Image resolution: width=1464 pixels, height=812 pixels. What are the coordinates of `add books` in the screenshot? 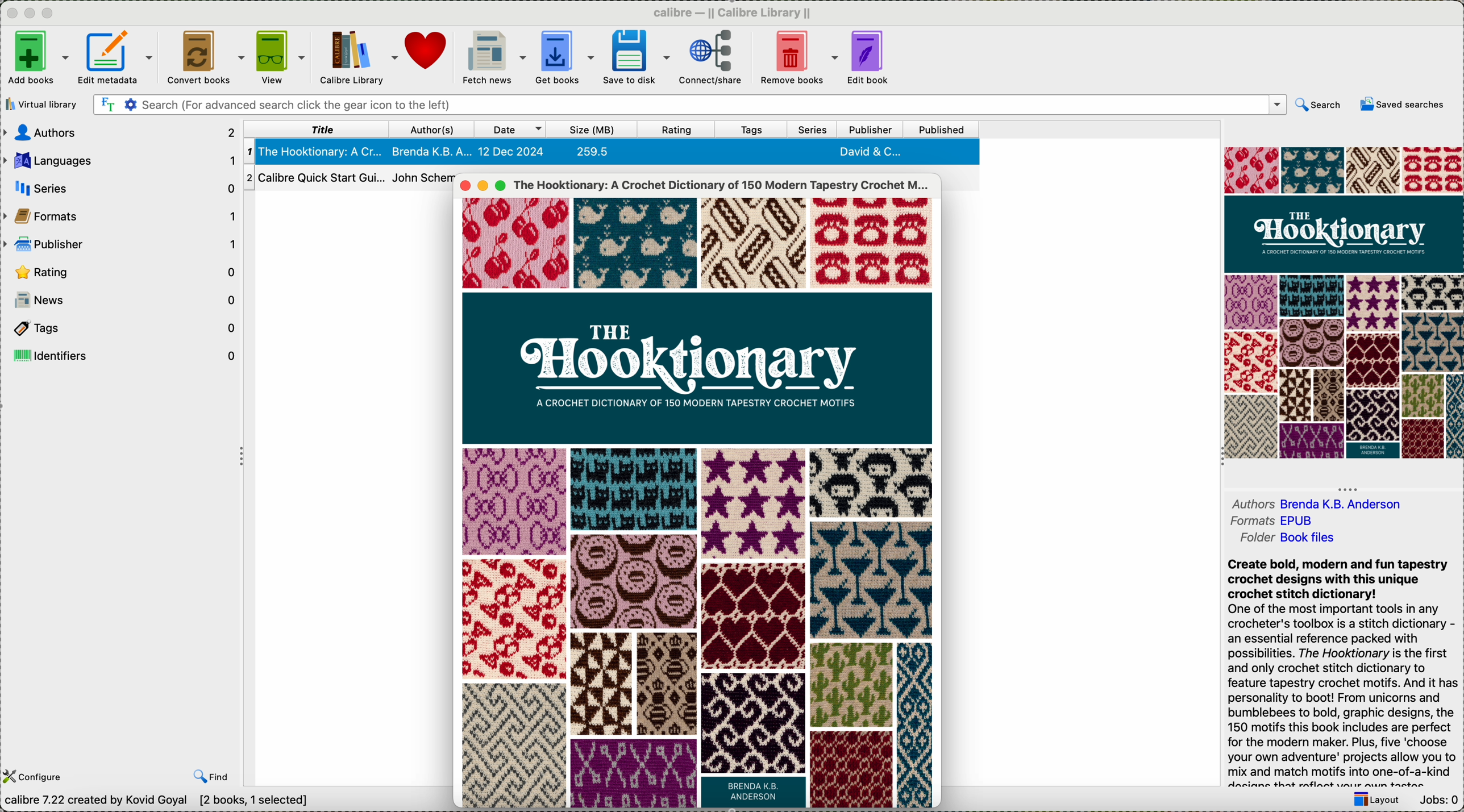 It's located at (38, 57).